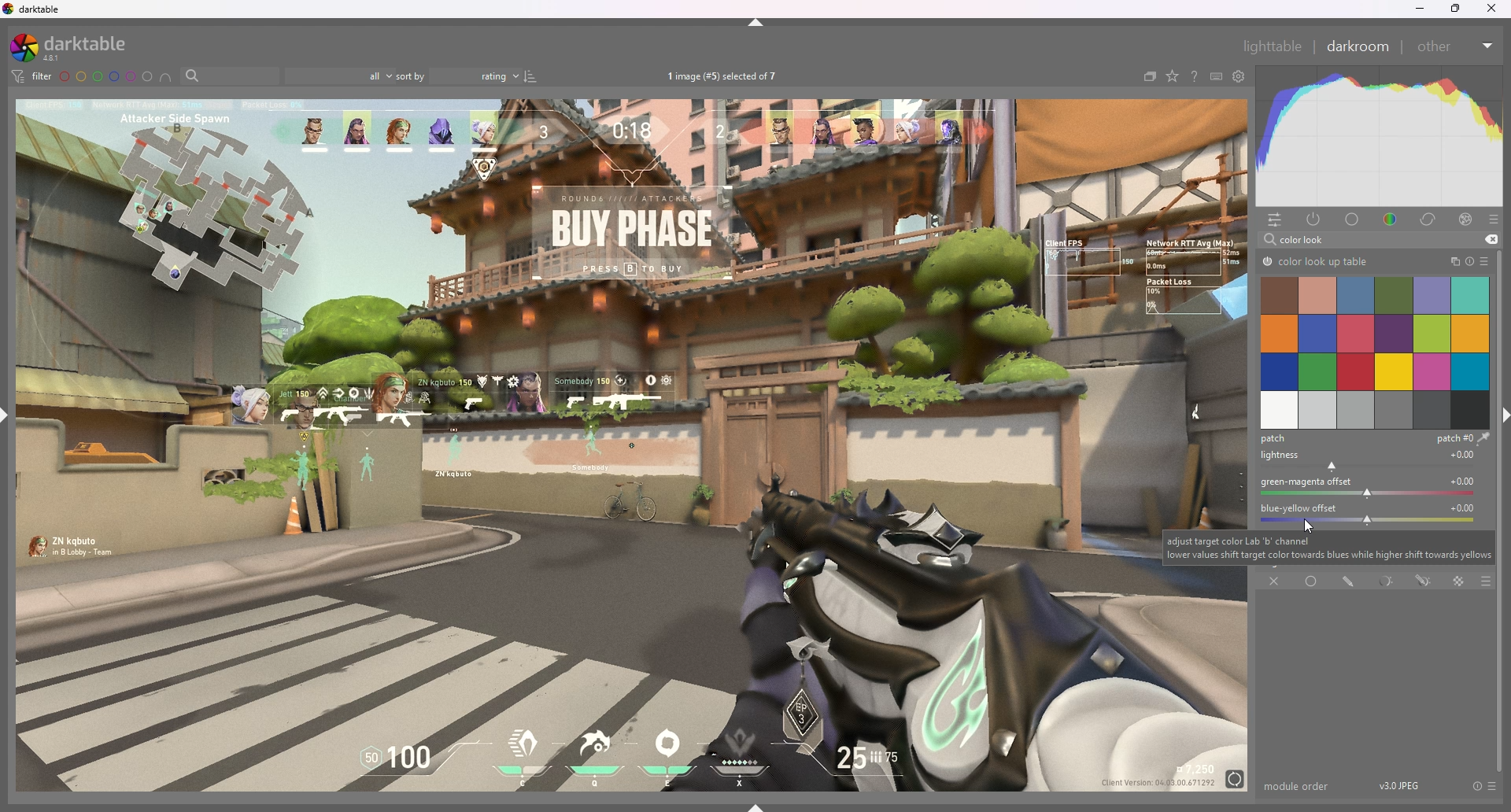 The height and width of the screenshot is (812, 1511). Describe the element at coordinates (1315, 262) in the screenshot. I see `color lookup table` at that location.